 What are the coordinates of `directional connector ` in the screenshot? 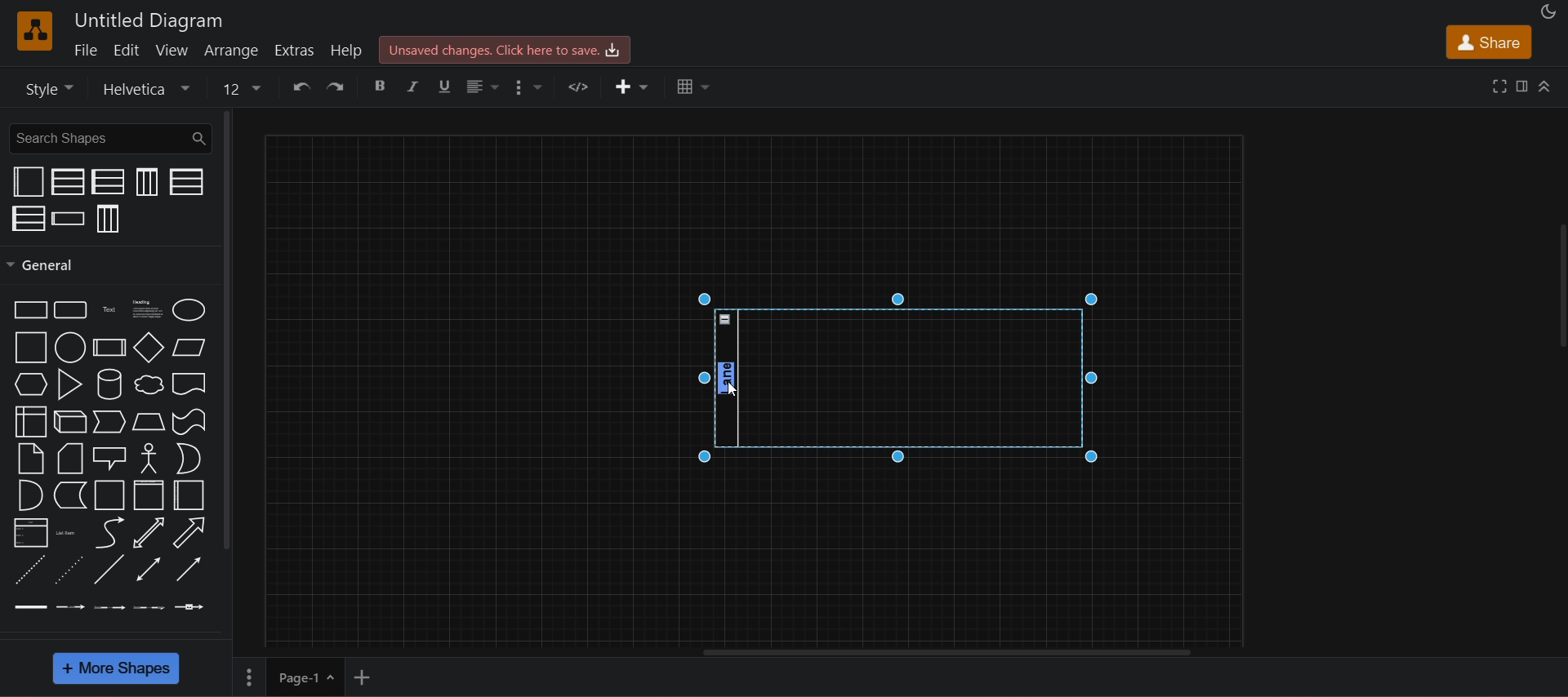 It's located at (189, 570).